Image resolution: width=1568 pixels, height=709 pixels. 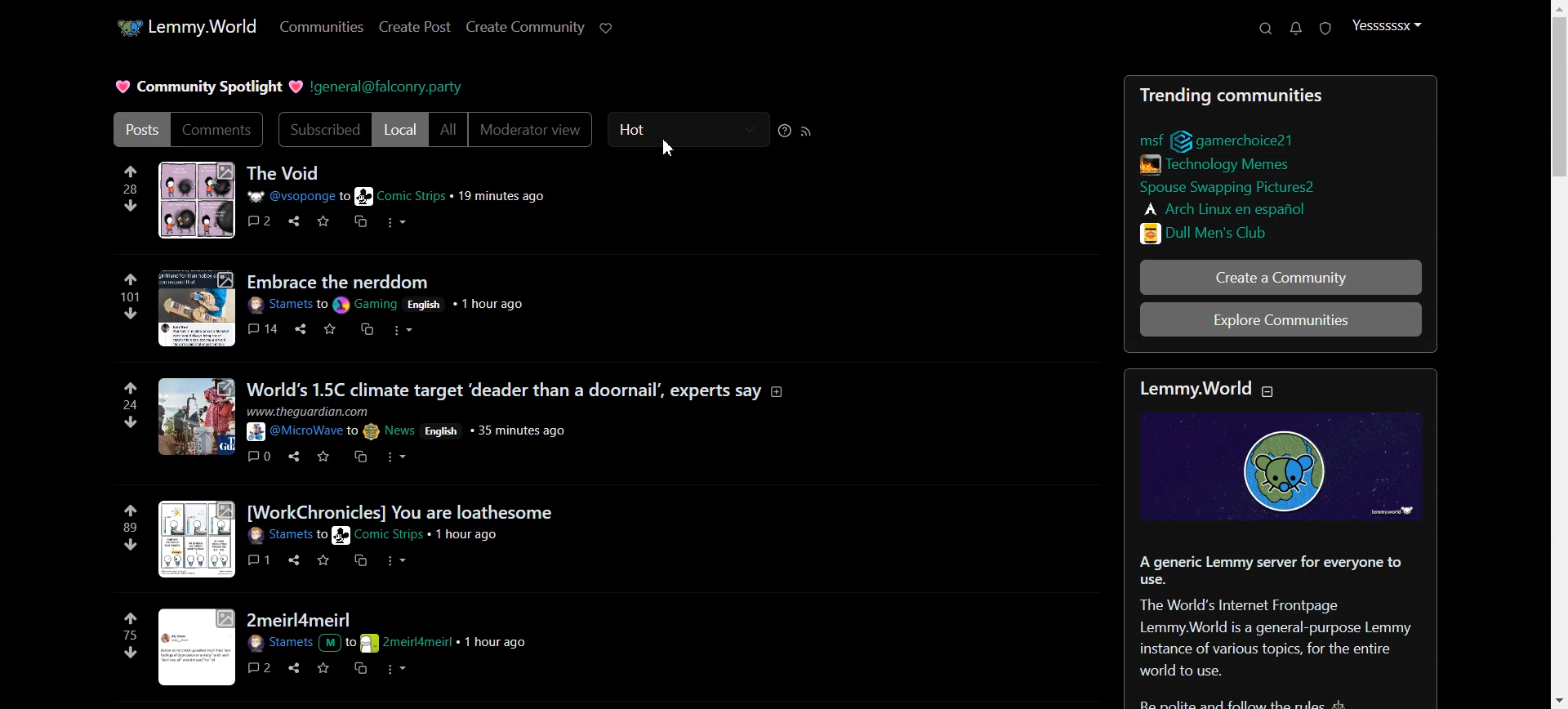 What do you see at coordinates (415, 26) in the screenshot?
I see `Create Post` at bounding box center [415, 26].